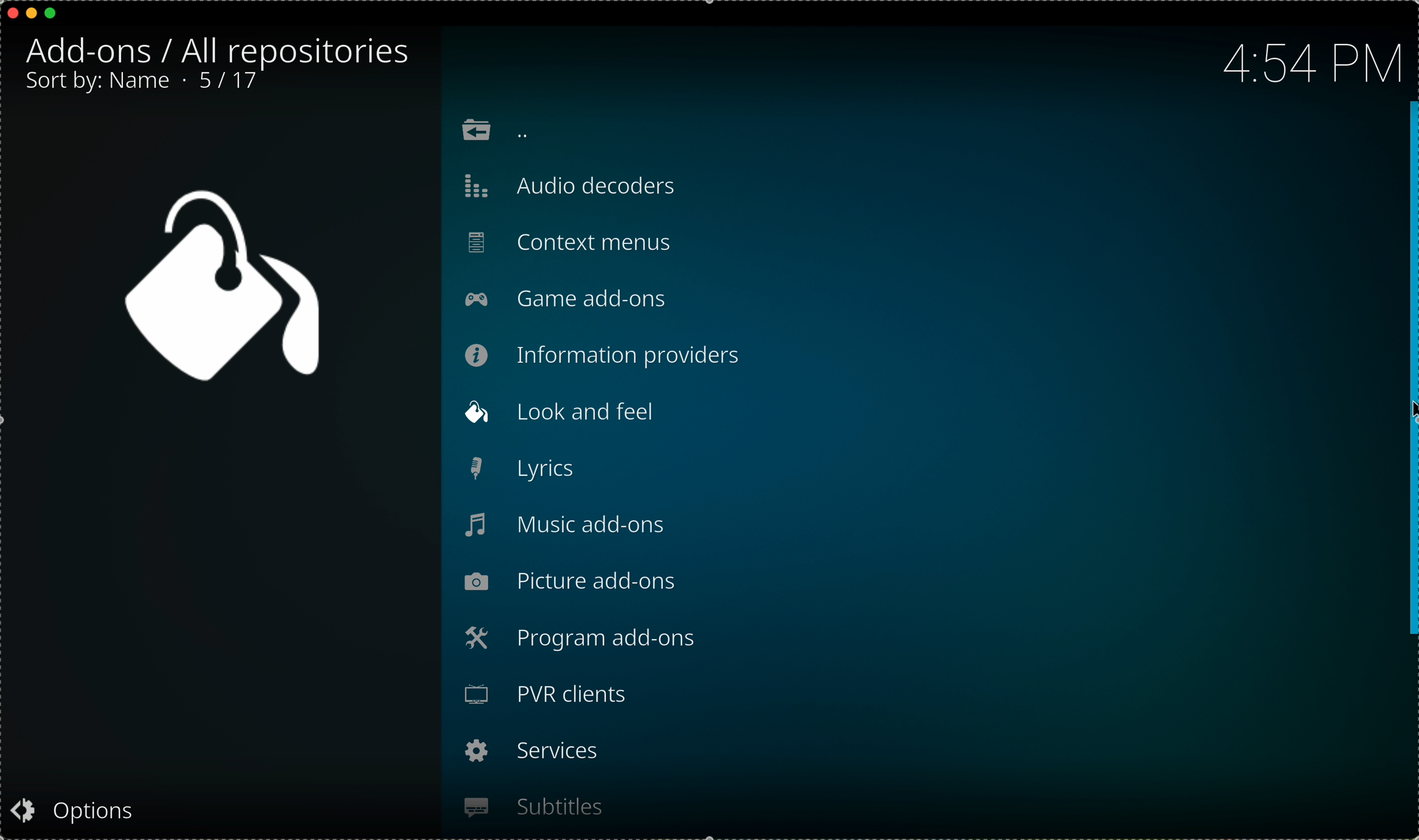  Describe the element at coordinates (1410, 371) in the screenshot. I see `mouse` at that location.